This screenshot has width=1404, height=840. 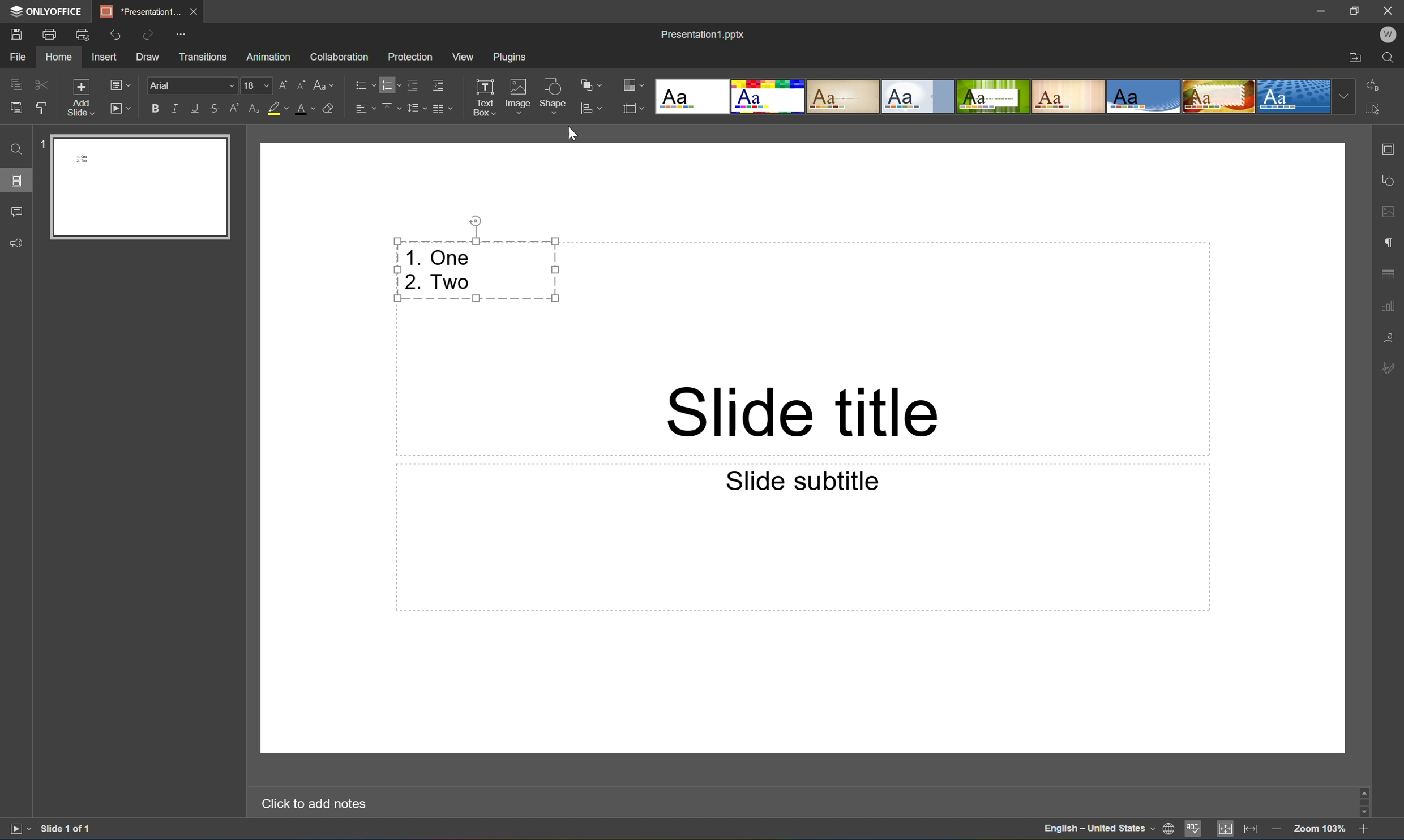 What do you see at coordinates (555, 97) in the screenshot?
I see `Shape` at bounding box center [555, 97].